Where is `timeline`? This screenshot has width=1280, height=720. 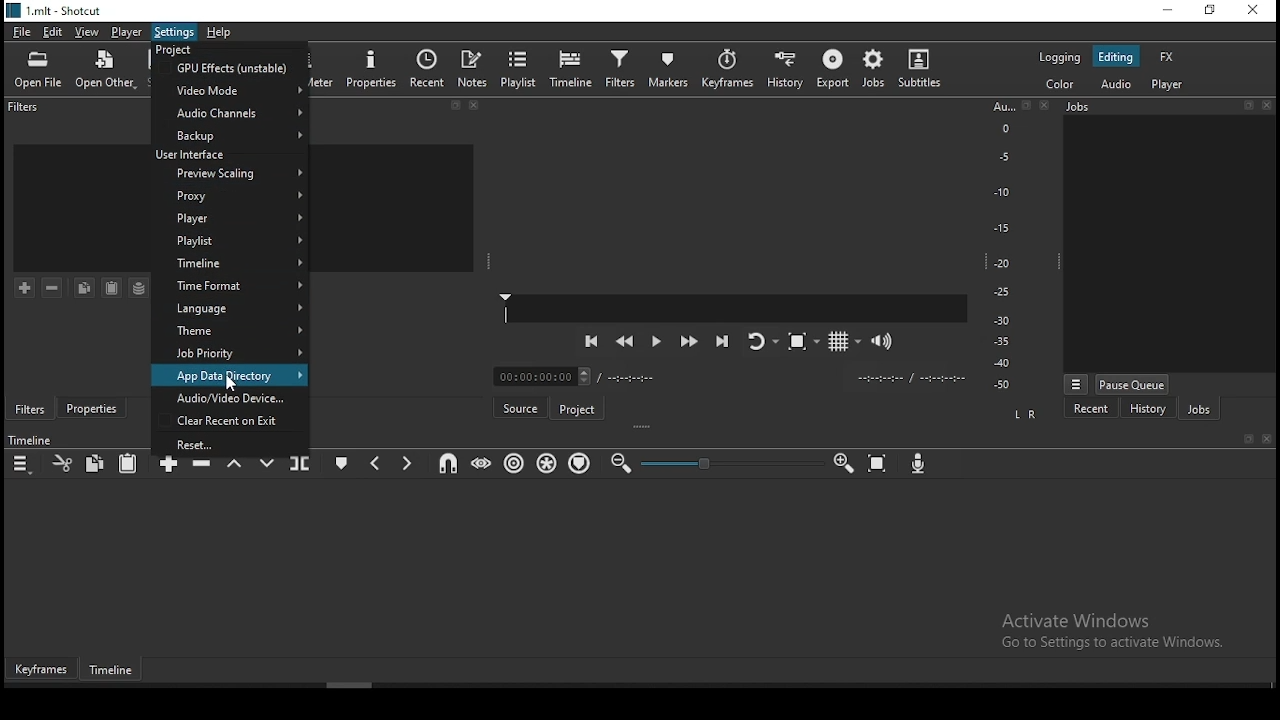
timeline is located at coordinates (116, 672).